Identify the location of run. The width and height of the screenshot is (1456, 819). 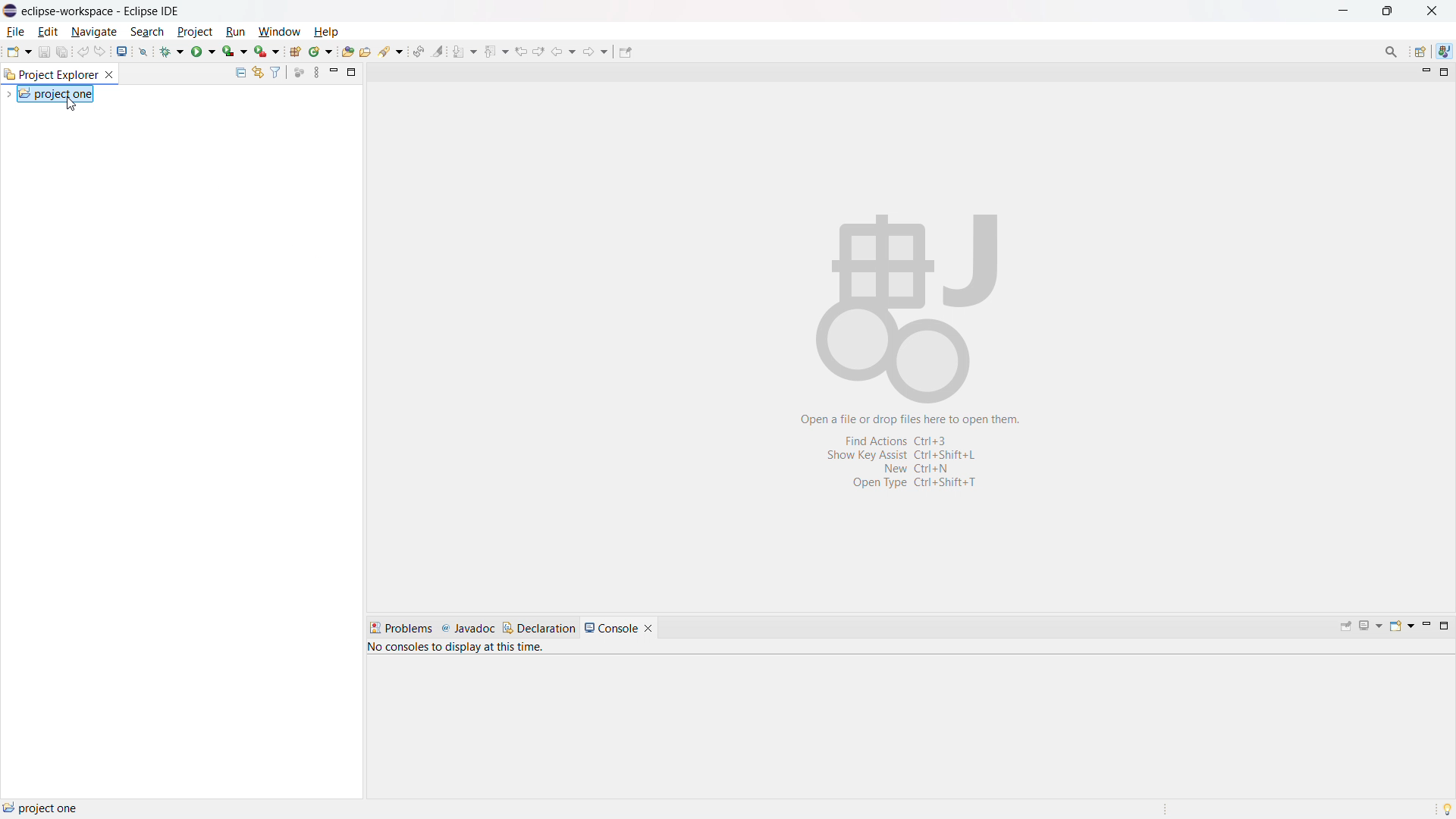
(236, 32).